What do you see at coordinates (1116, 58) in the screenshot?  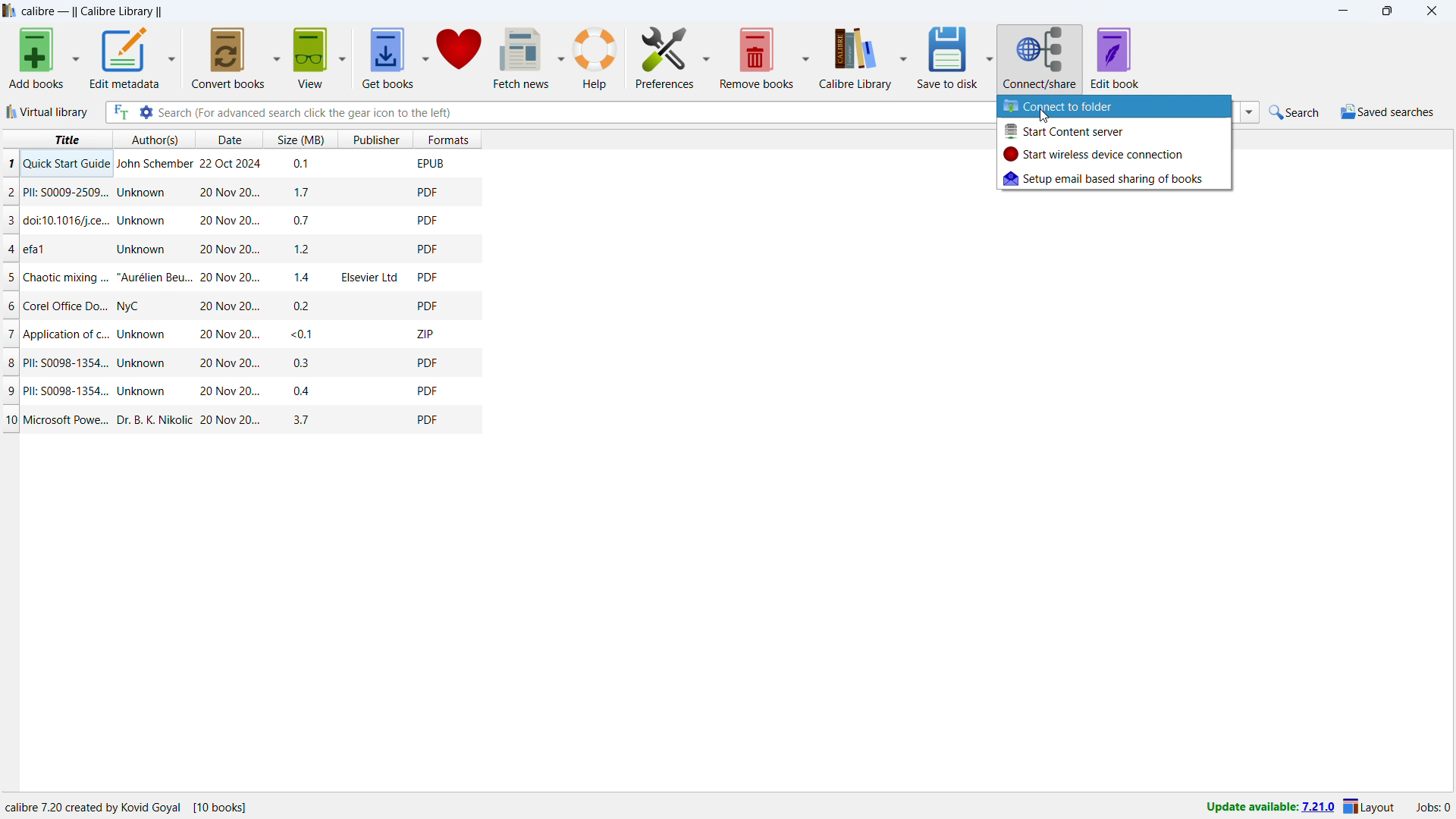 I see `edit book` at bounding box center [1116, 58].